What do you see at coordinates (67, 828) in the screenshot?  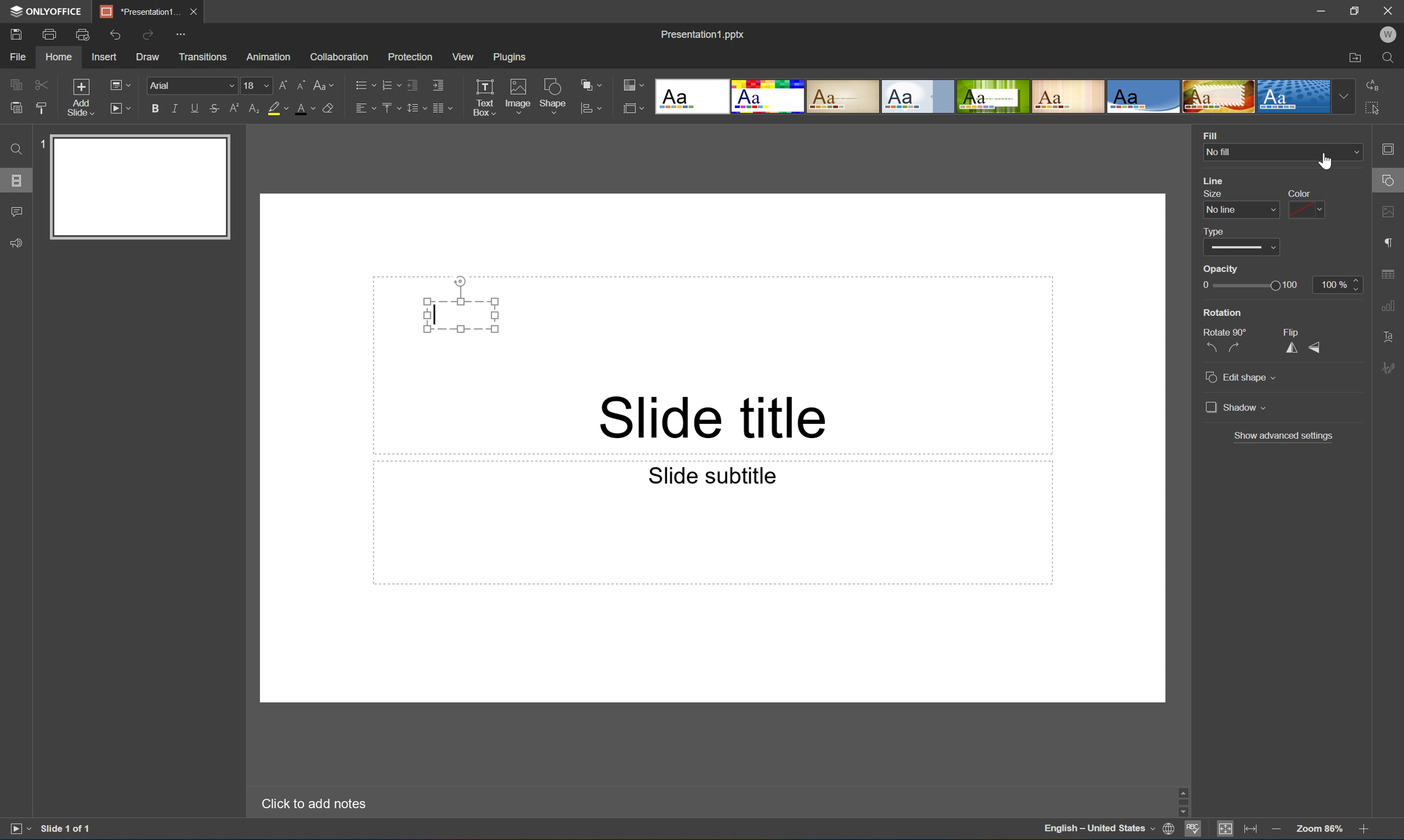 I see `Slide 1 of 1` at bounding box center [67, 828].